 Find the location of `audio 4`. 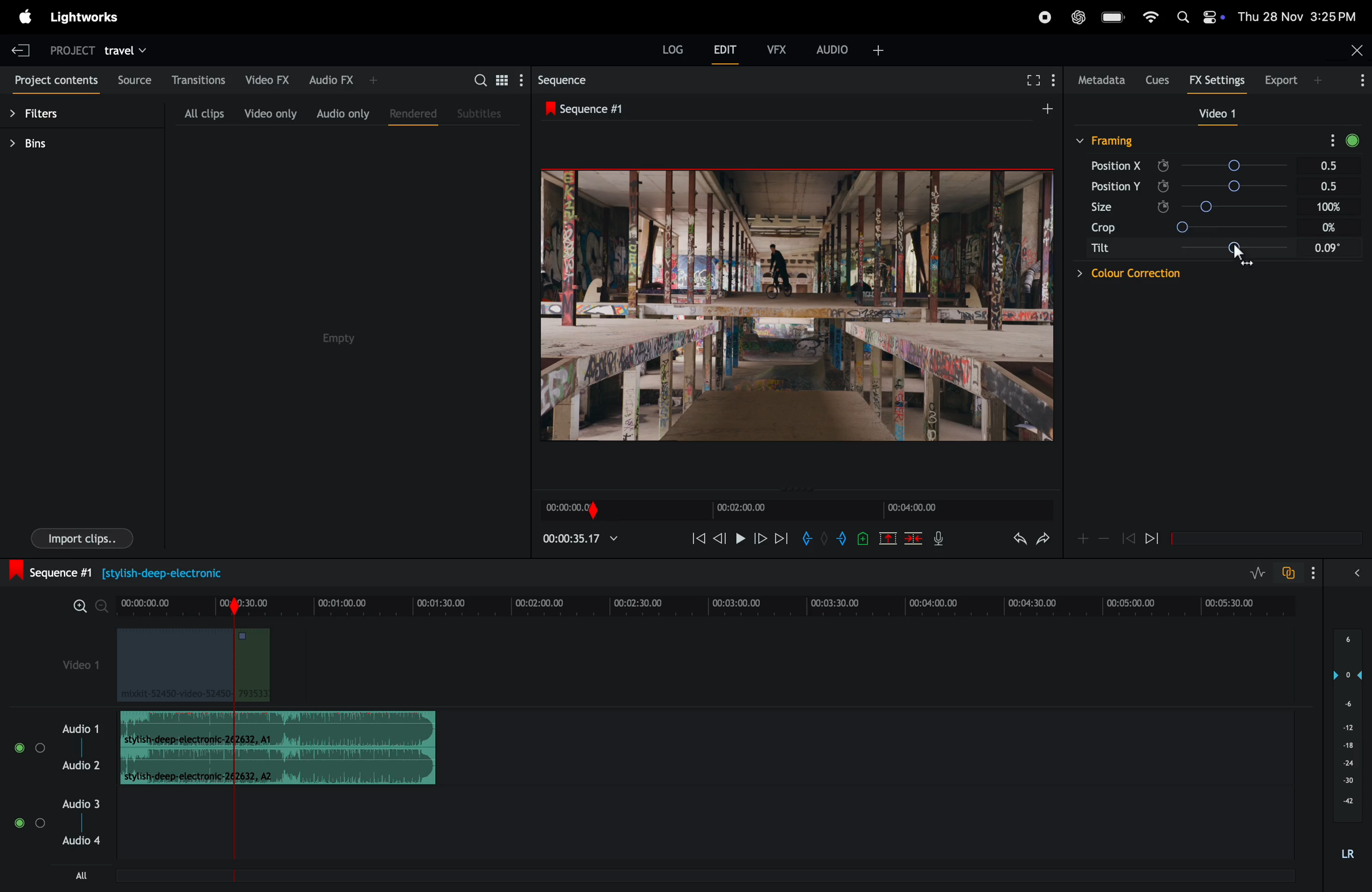

audio 4 is located at coordinates (81, 846).